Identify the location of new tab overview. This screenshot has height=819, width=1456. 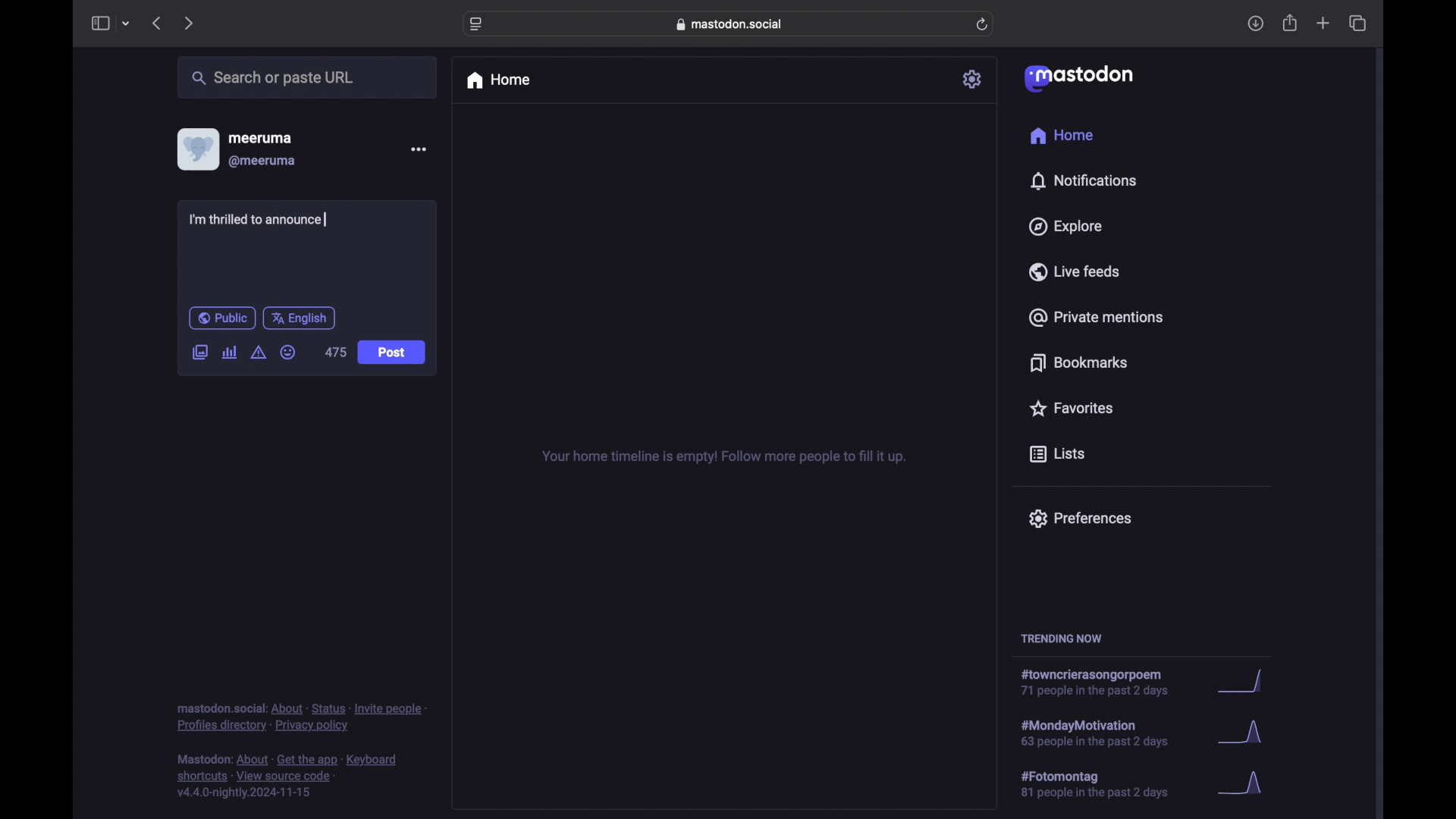
(1323, 23).